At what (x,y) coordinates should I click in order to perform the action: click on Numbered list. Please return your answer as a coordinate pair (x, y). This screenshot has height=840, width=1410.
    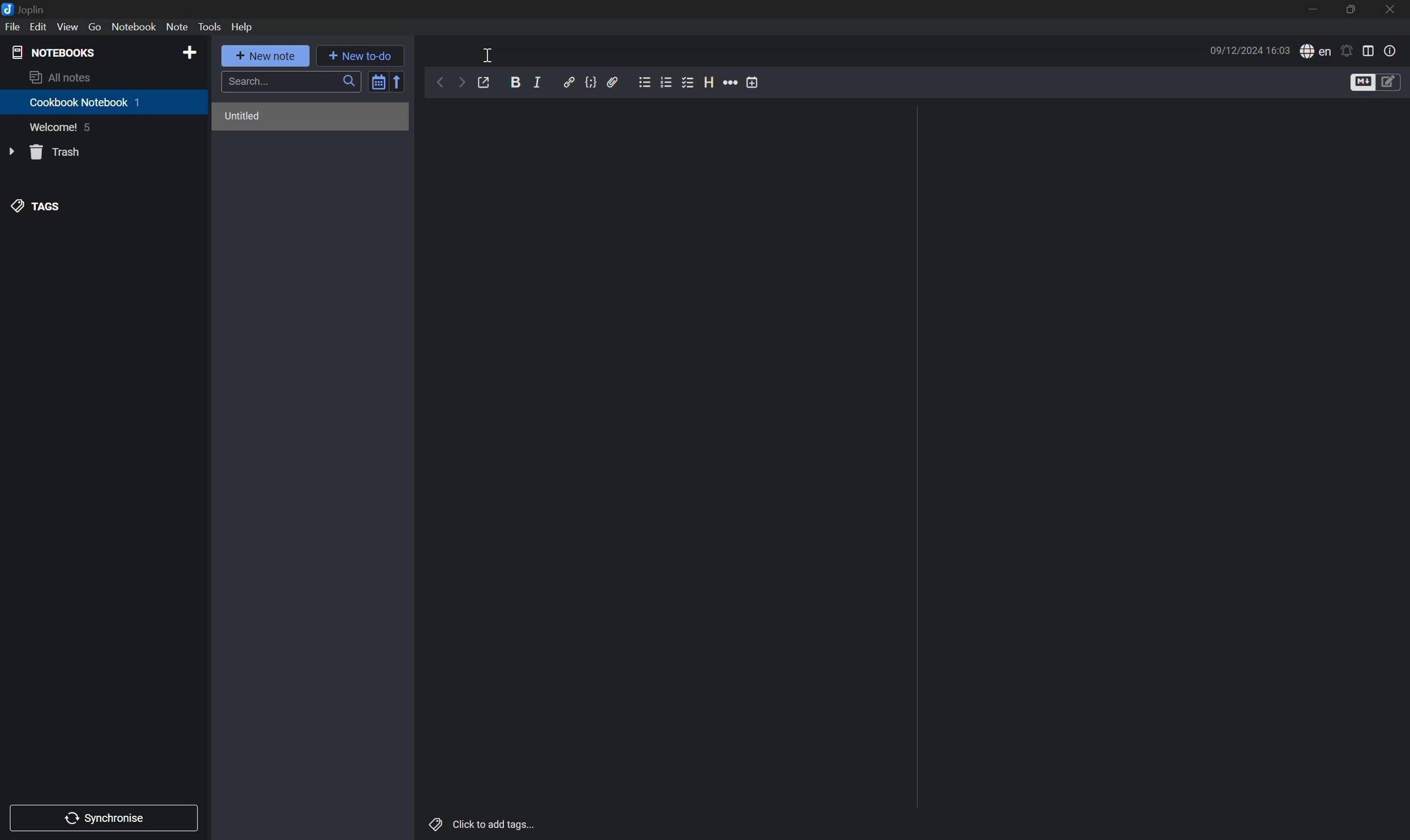
    Looking at the image, I should click on (665, 81).